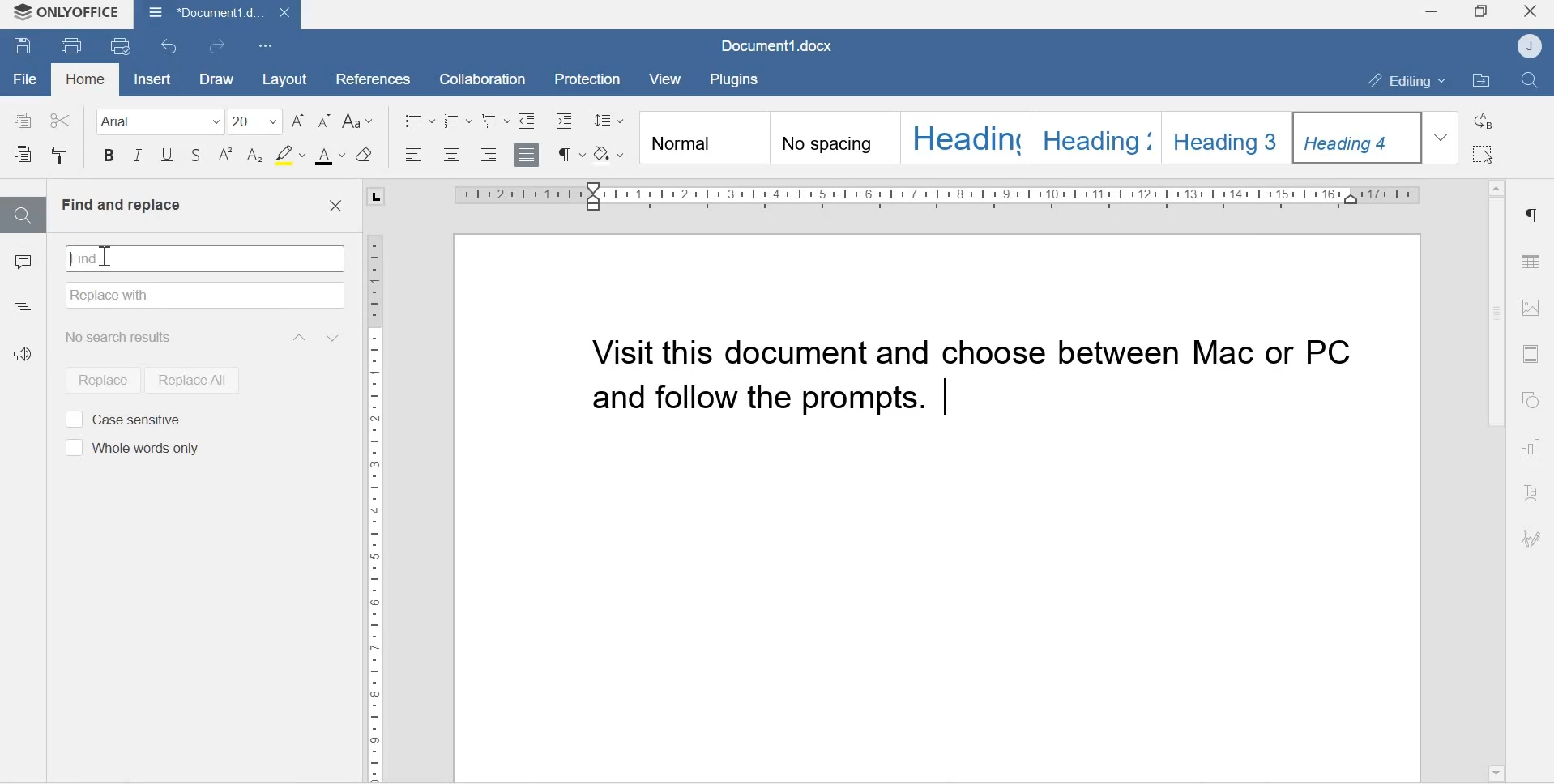 The image size is (1554, 784). What do you see at coordinates (103, 257) in the screenshot?
I see `Cursor` at bounding box center [103, 257].